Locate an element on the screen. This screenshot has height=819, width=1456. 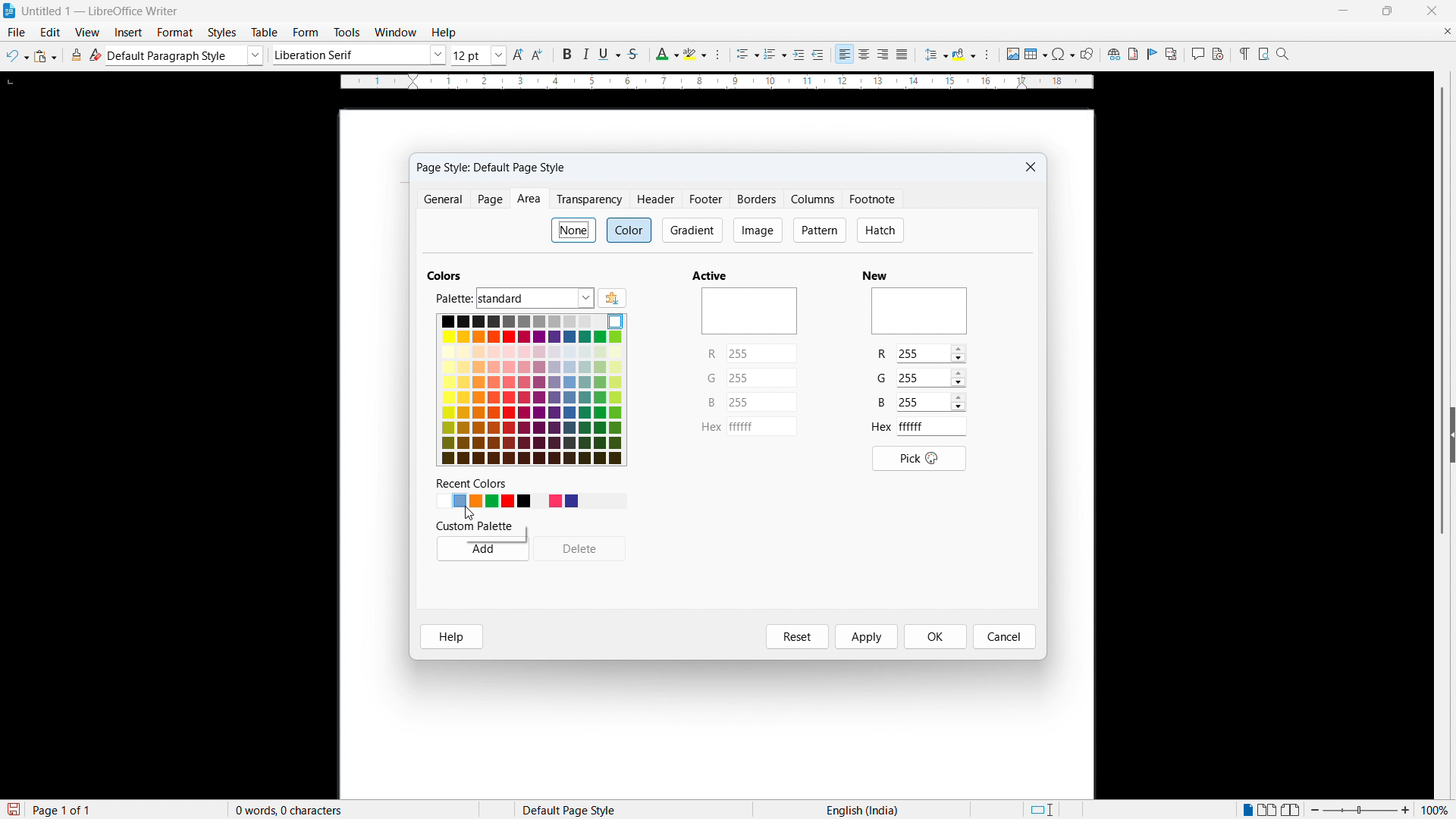
Hatch  is located at coordinates (879, 231).